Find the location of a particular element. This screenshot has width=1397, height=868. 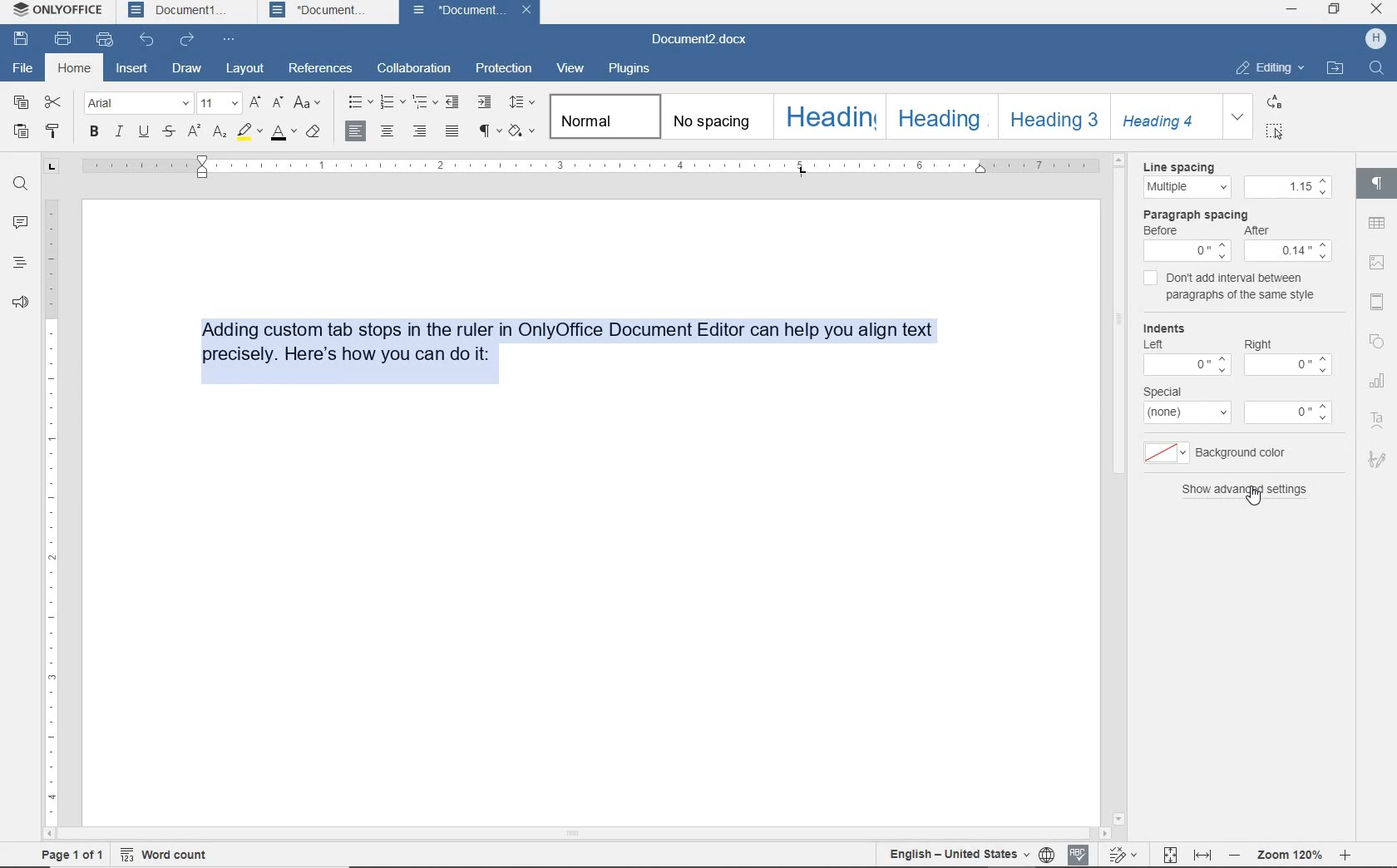

set document language is located at coordinates (1046, 854).